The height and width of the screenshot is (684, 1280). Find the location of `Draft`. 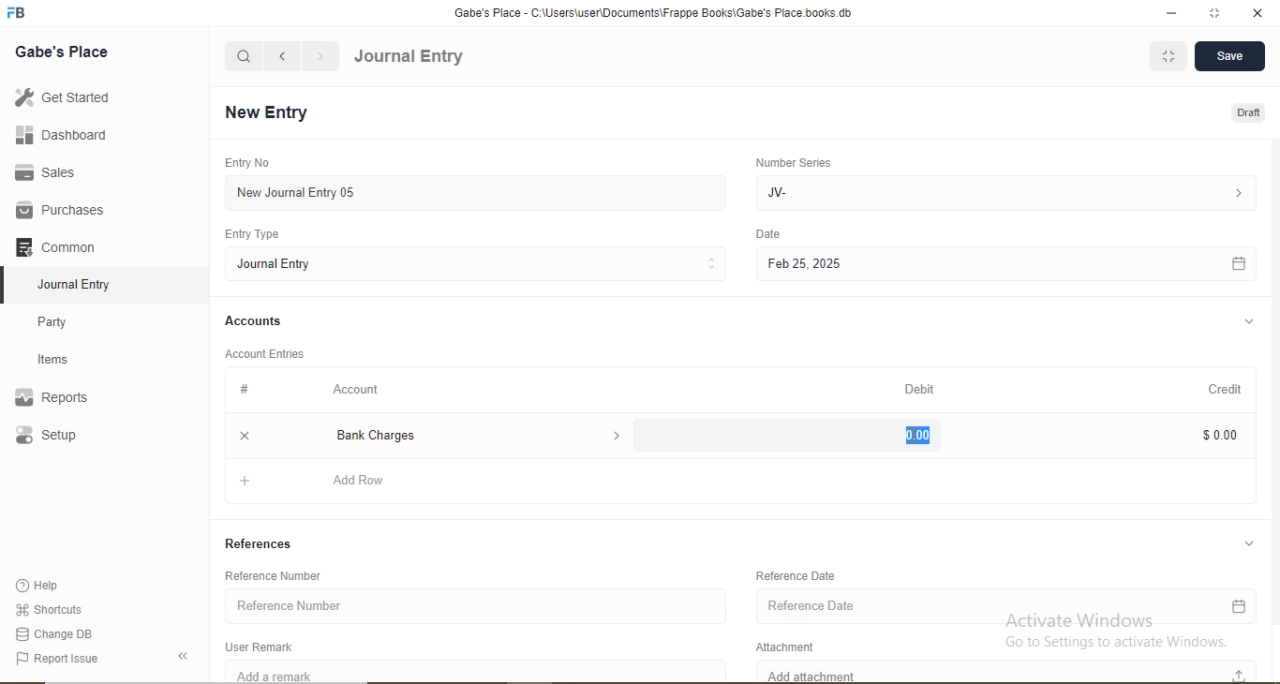

Draft is located at coordinates (1250, 114).